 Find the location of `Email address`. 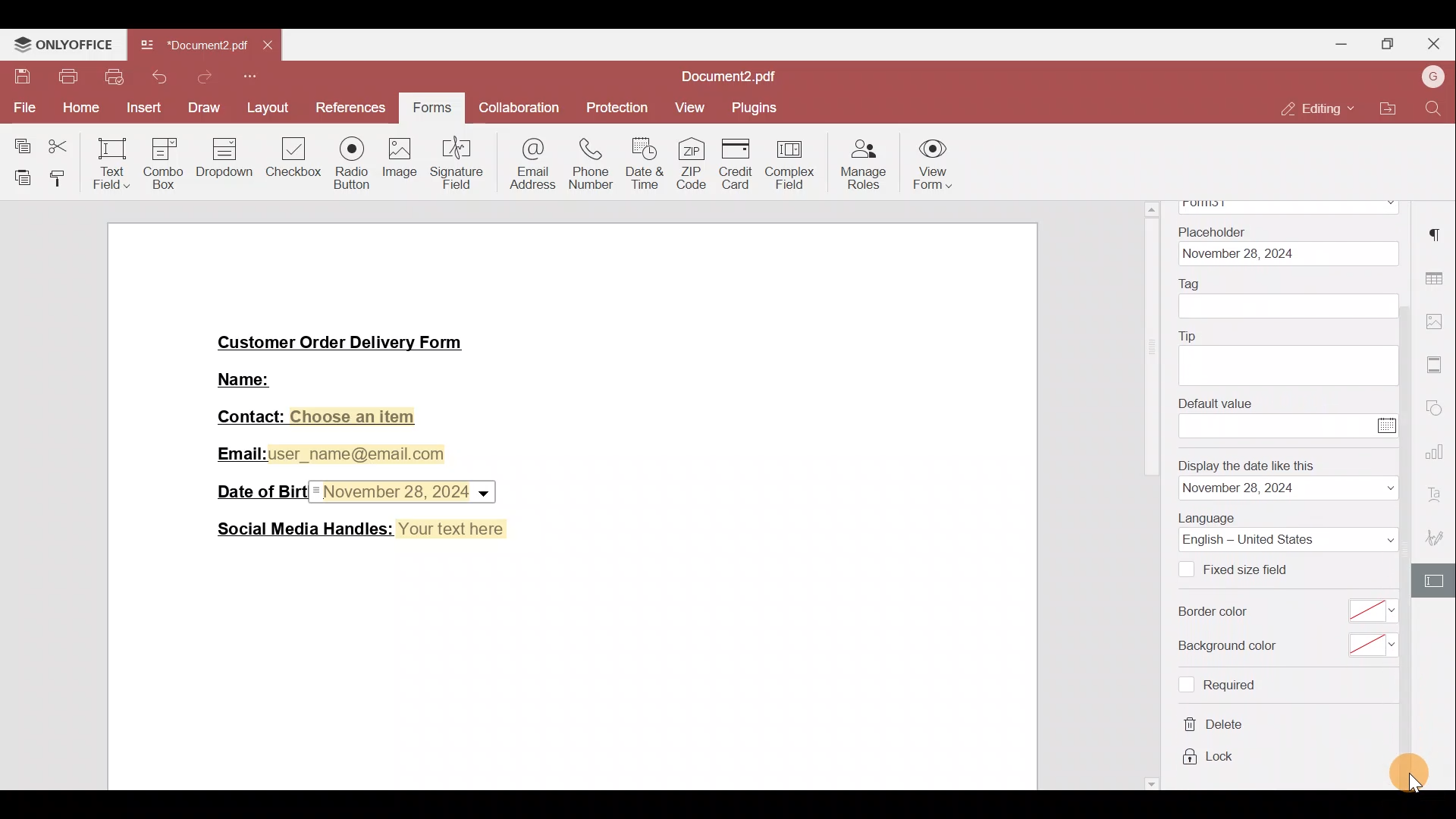

Email address is located at coordinates (531, 162).